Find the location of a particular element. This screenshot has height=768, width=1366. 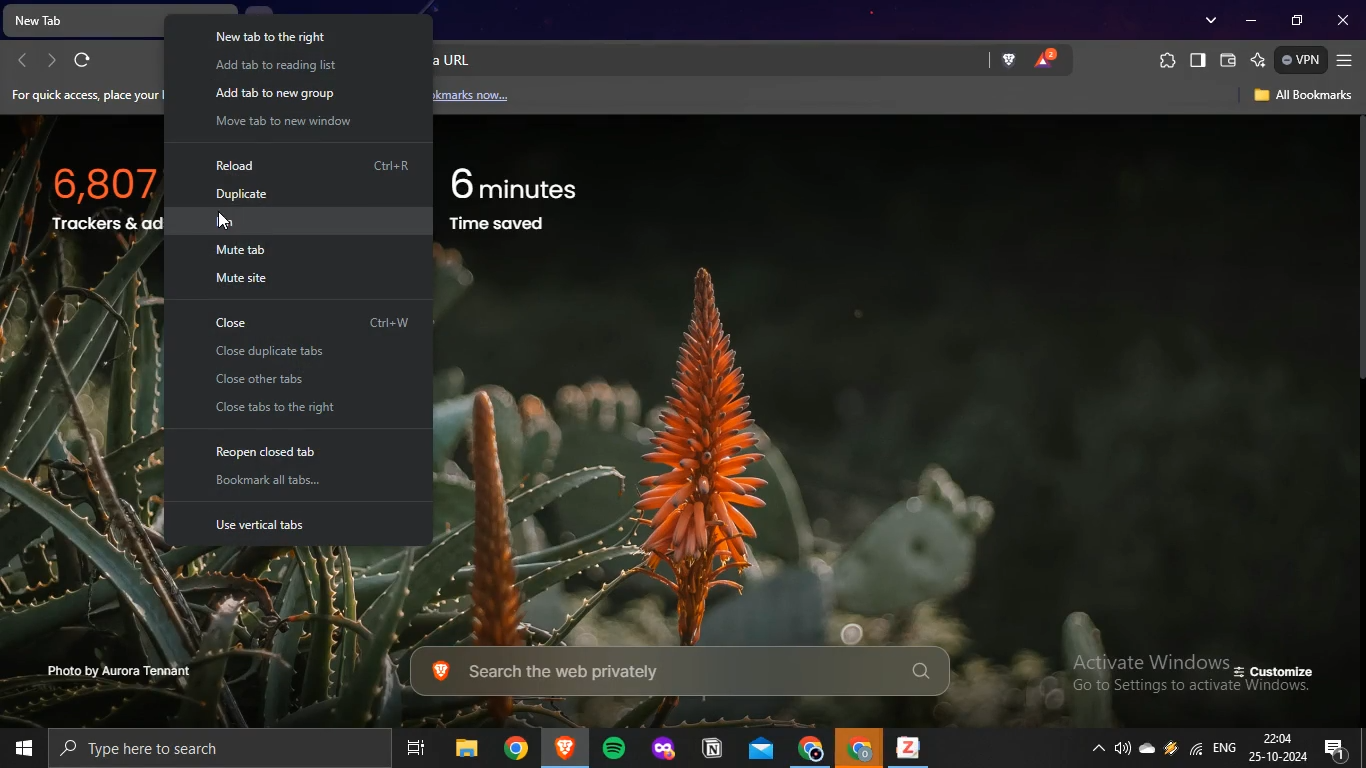

backward is located at coordinates (24, 59).